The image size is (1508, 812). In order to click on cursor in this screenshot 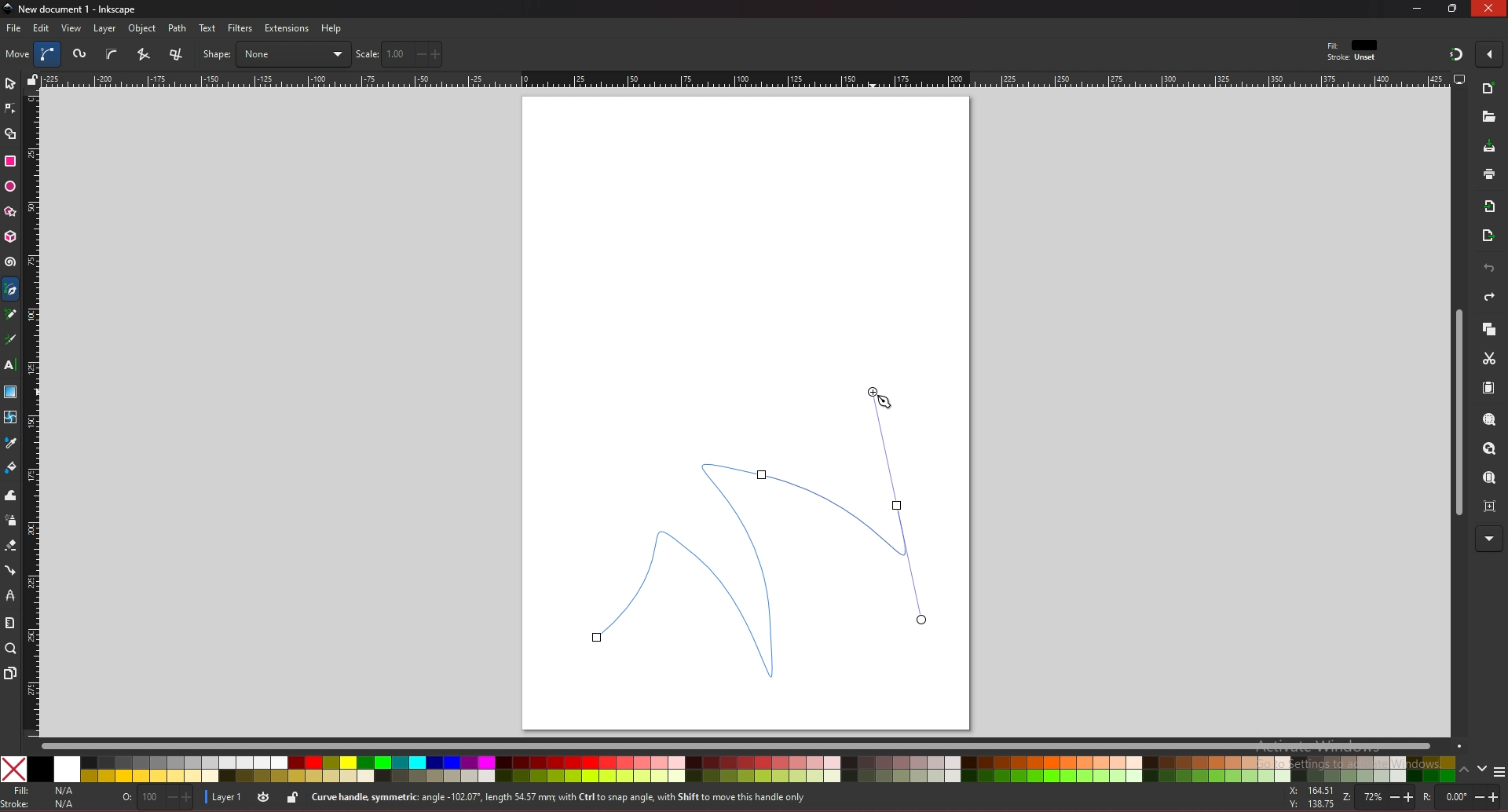, I will do `click(885, 403)`.